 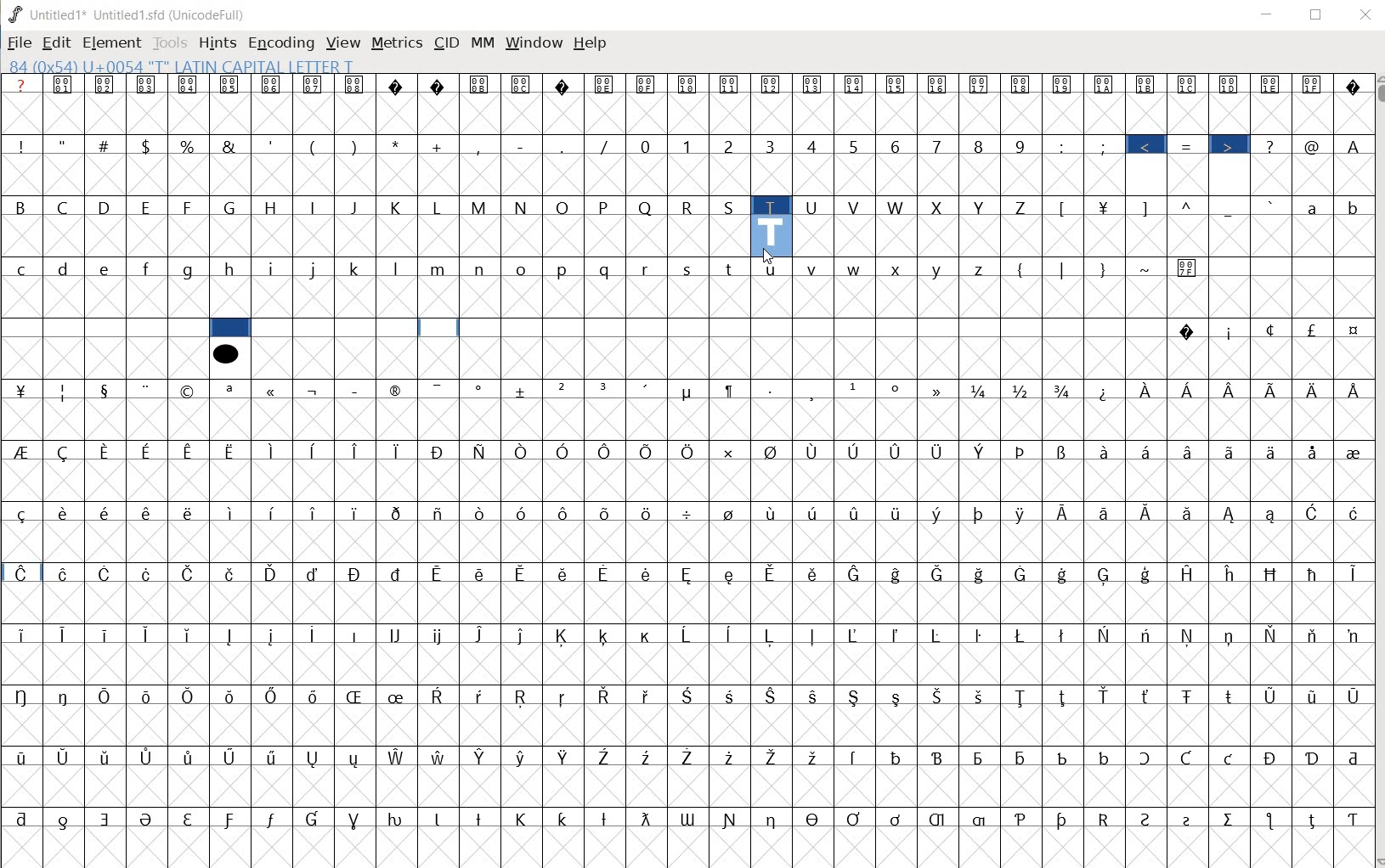 What do you see at coordinates (1189, 268) in the screenshot?
I see `Symbol` at bounding box center [1189, 268].